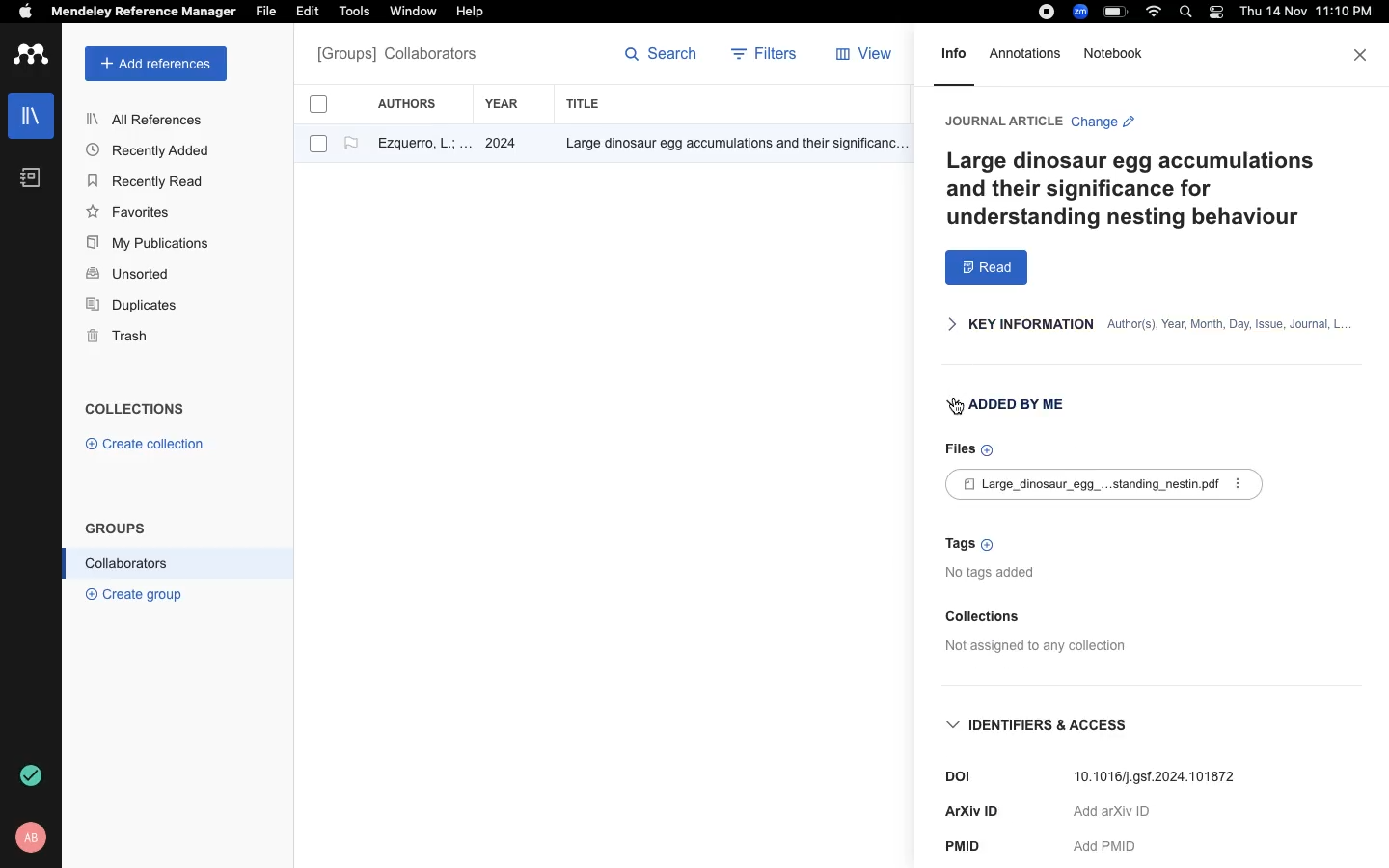 The image size is (1389, 868). I want to click on checkboxes, so click(311, 127).